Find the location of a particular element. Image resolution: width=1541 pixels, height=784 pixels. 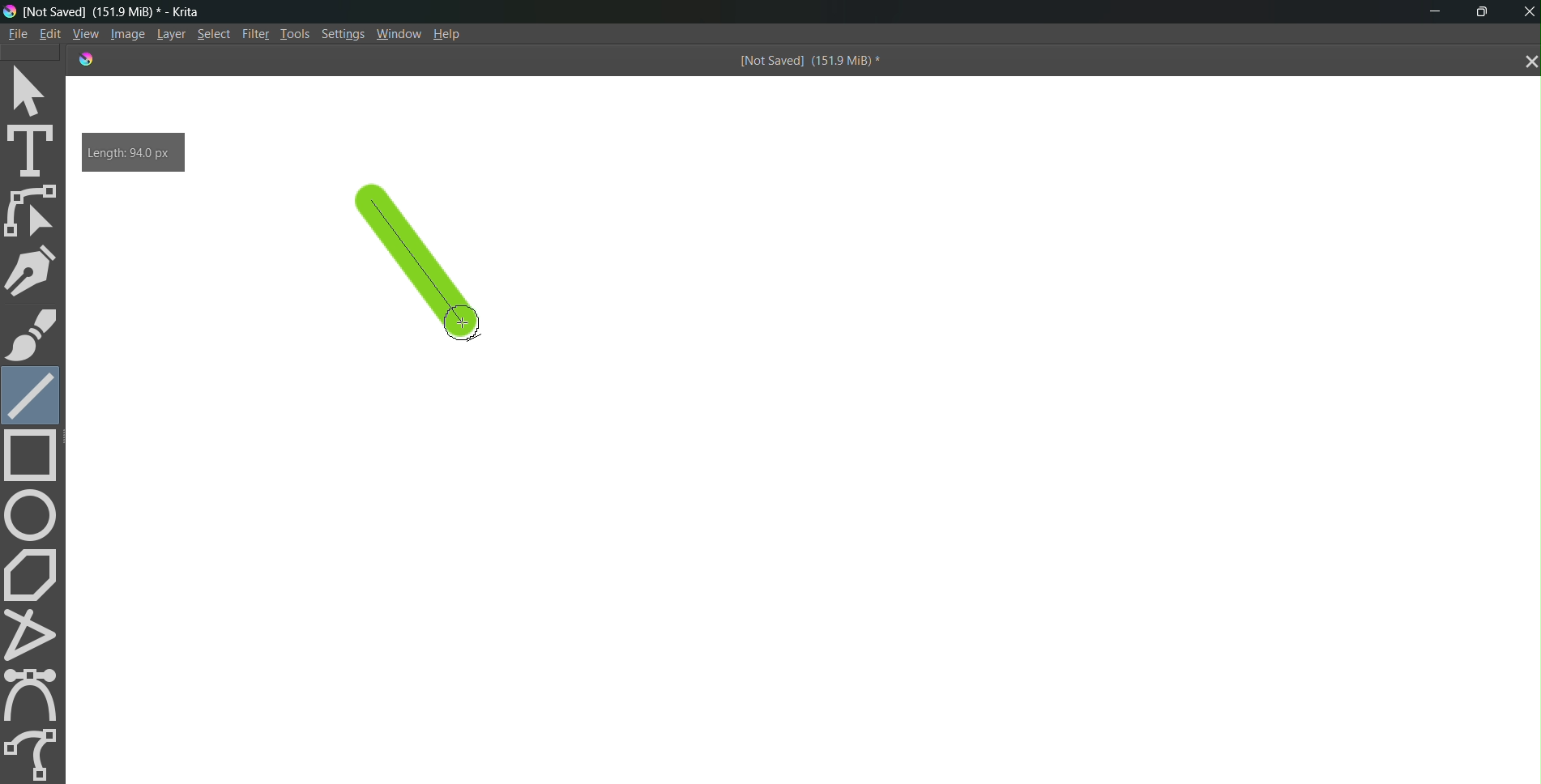

Settings is located at coordinates (344, 36).